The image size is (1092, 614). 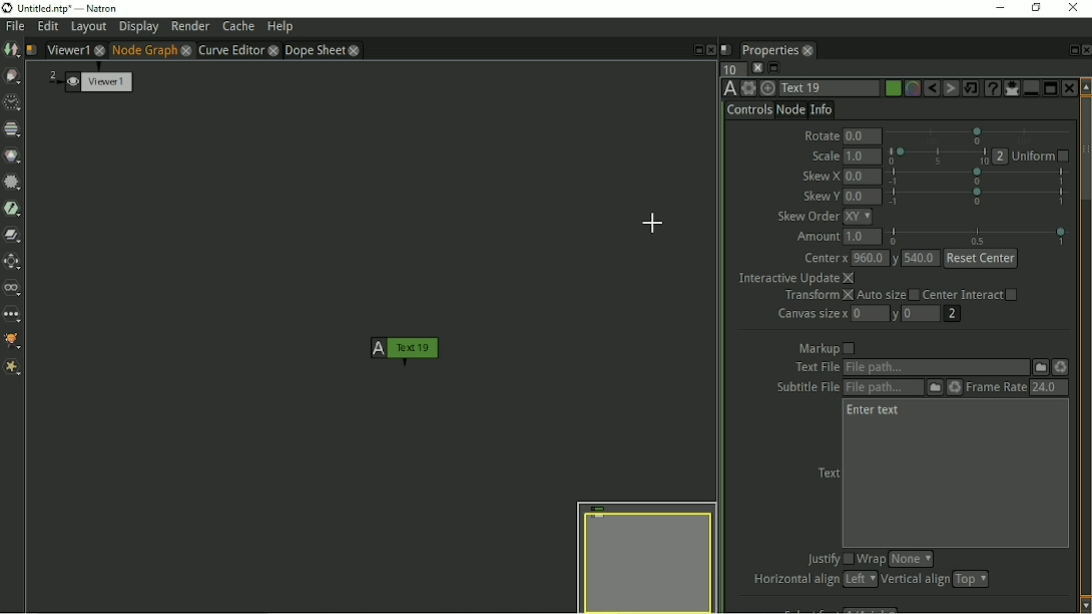 I want to click on Interactive Update, so click(x=797, y=278).